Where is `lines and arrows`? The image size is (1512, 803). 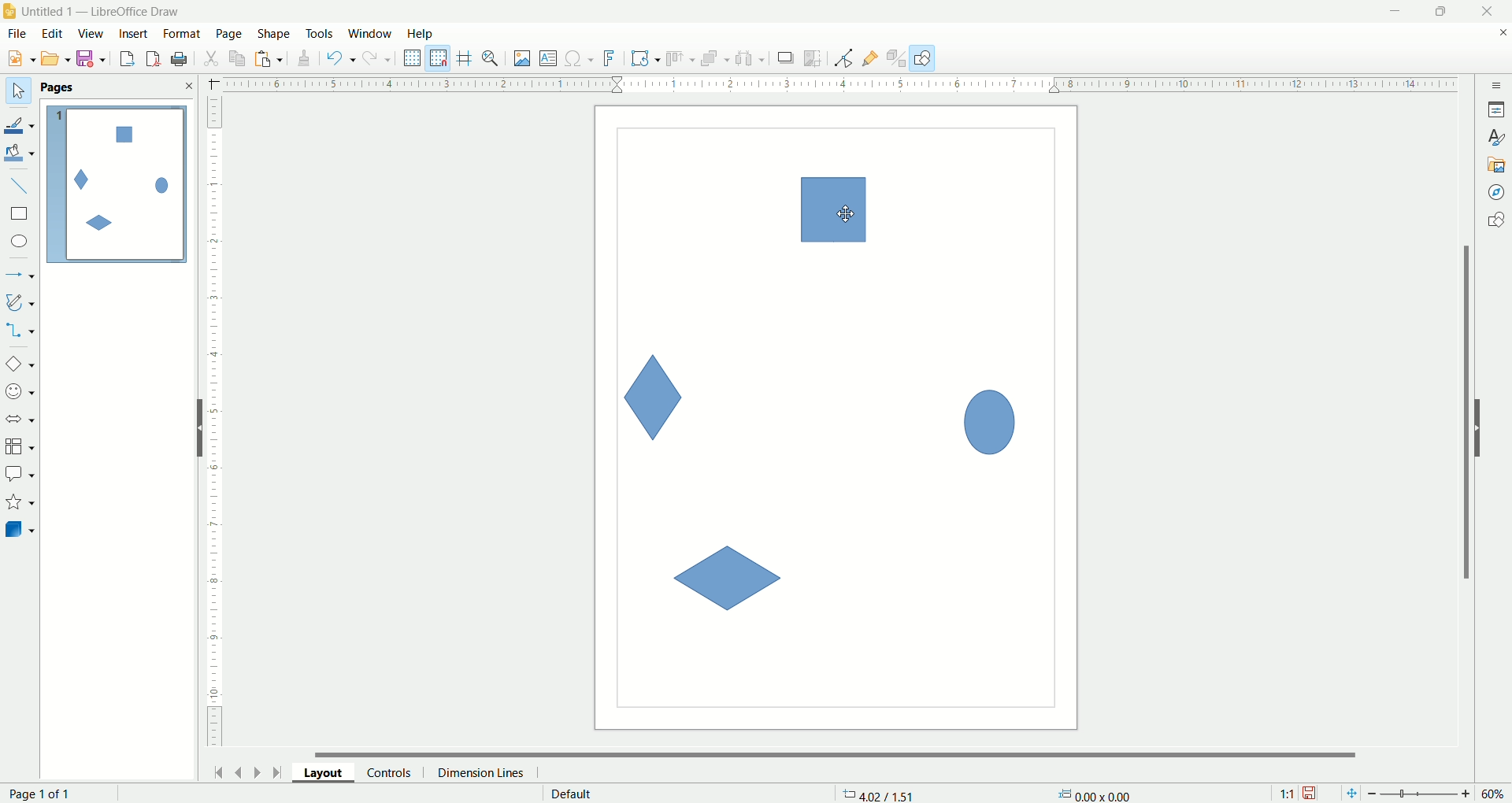
lines and arrows is located at coordinates (21, 276).